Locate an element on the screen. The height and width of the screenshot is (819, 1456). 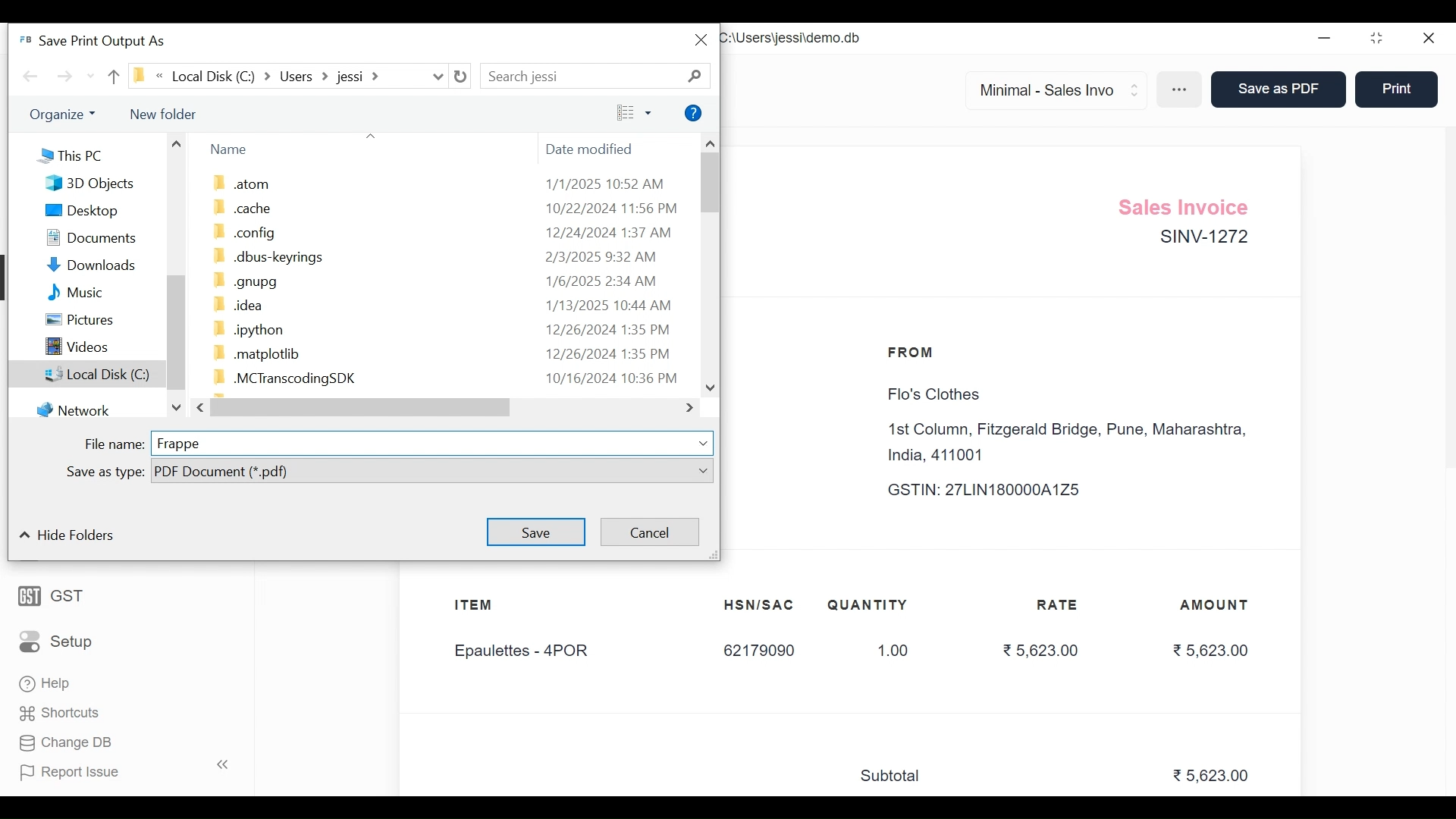
Frappe is located at coordinates (180, 443).